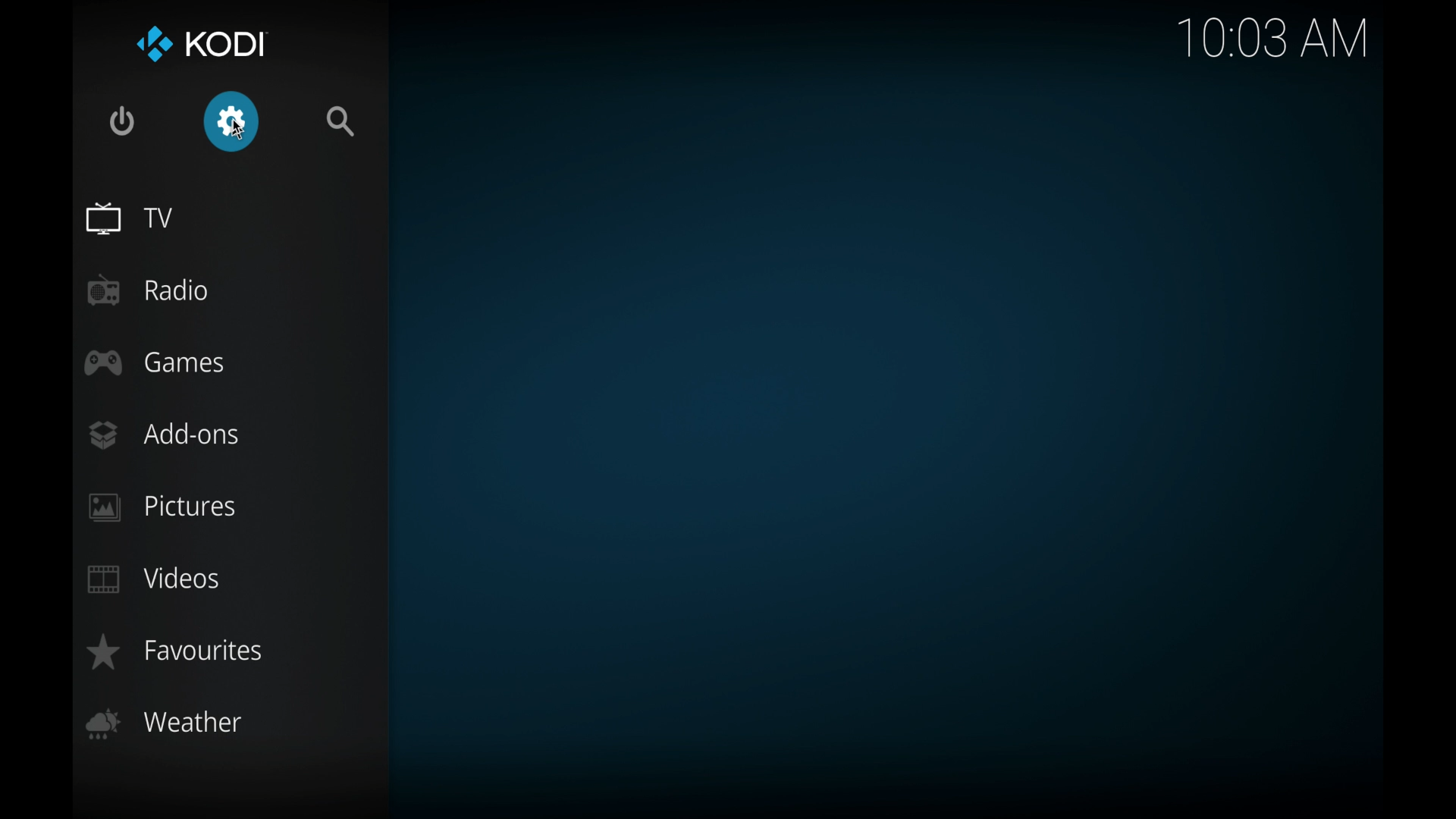 The image size is (1456, 819). What do you see at coordinates (154, 362) in the screenshot?
I see `games` at bounding box center [154, 362].